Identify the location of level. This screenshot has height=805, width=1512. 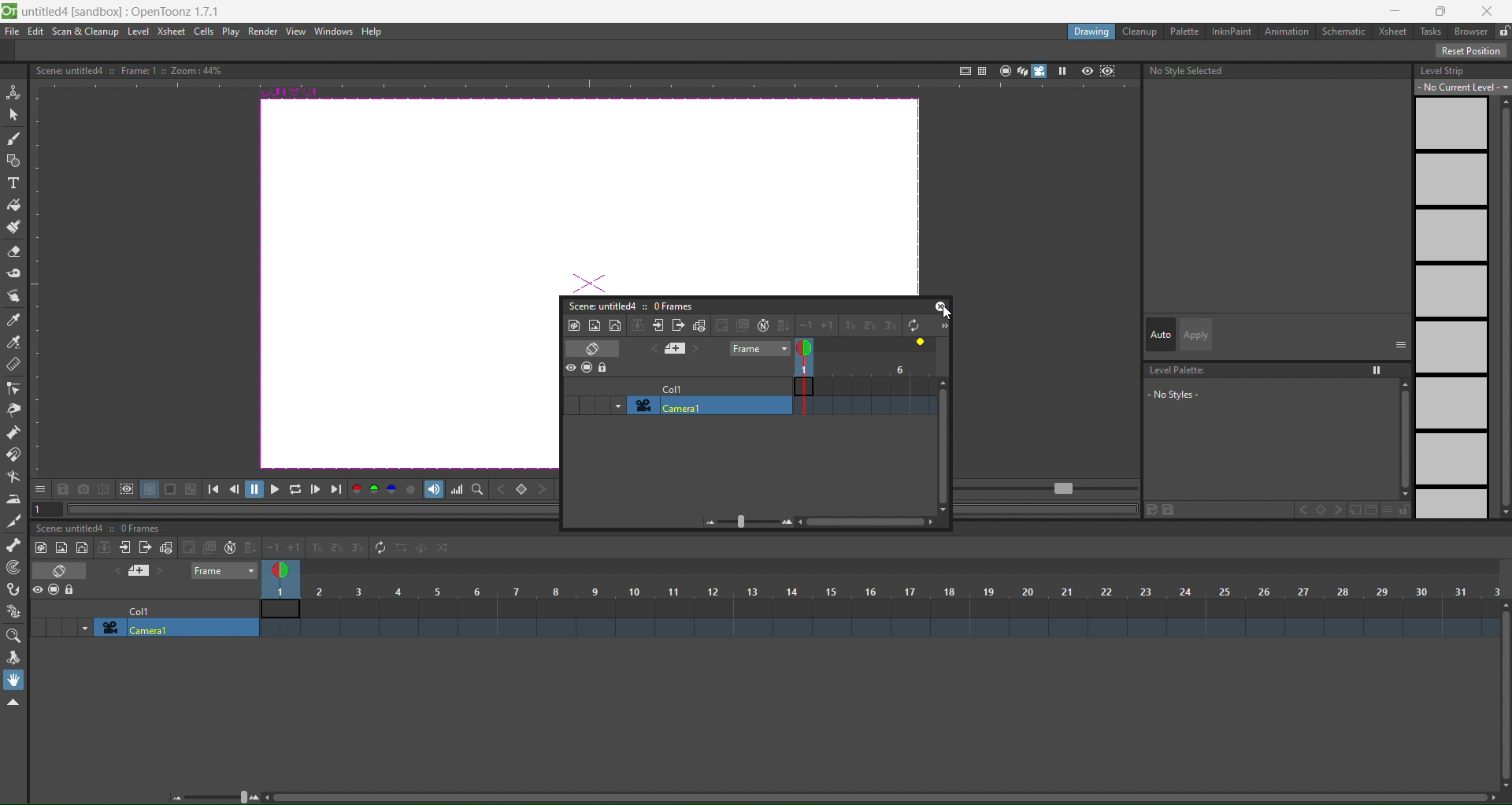
(139, 32).